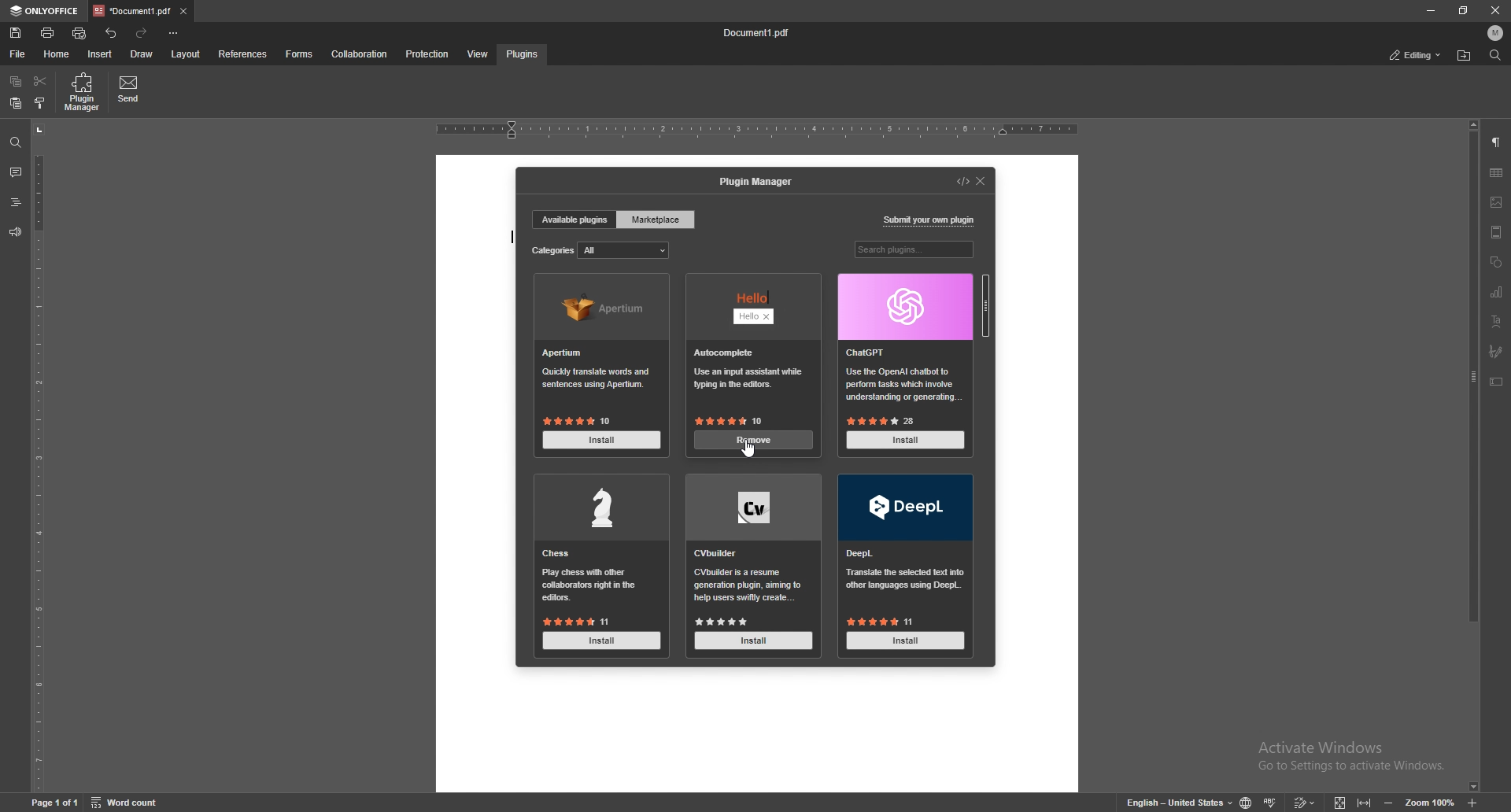 The image size is (1511, 812). What do you see at coordinates (1365, 801) in the screenshot?
I see `fit to width` at bounding box center [1365, 801].